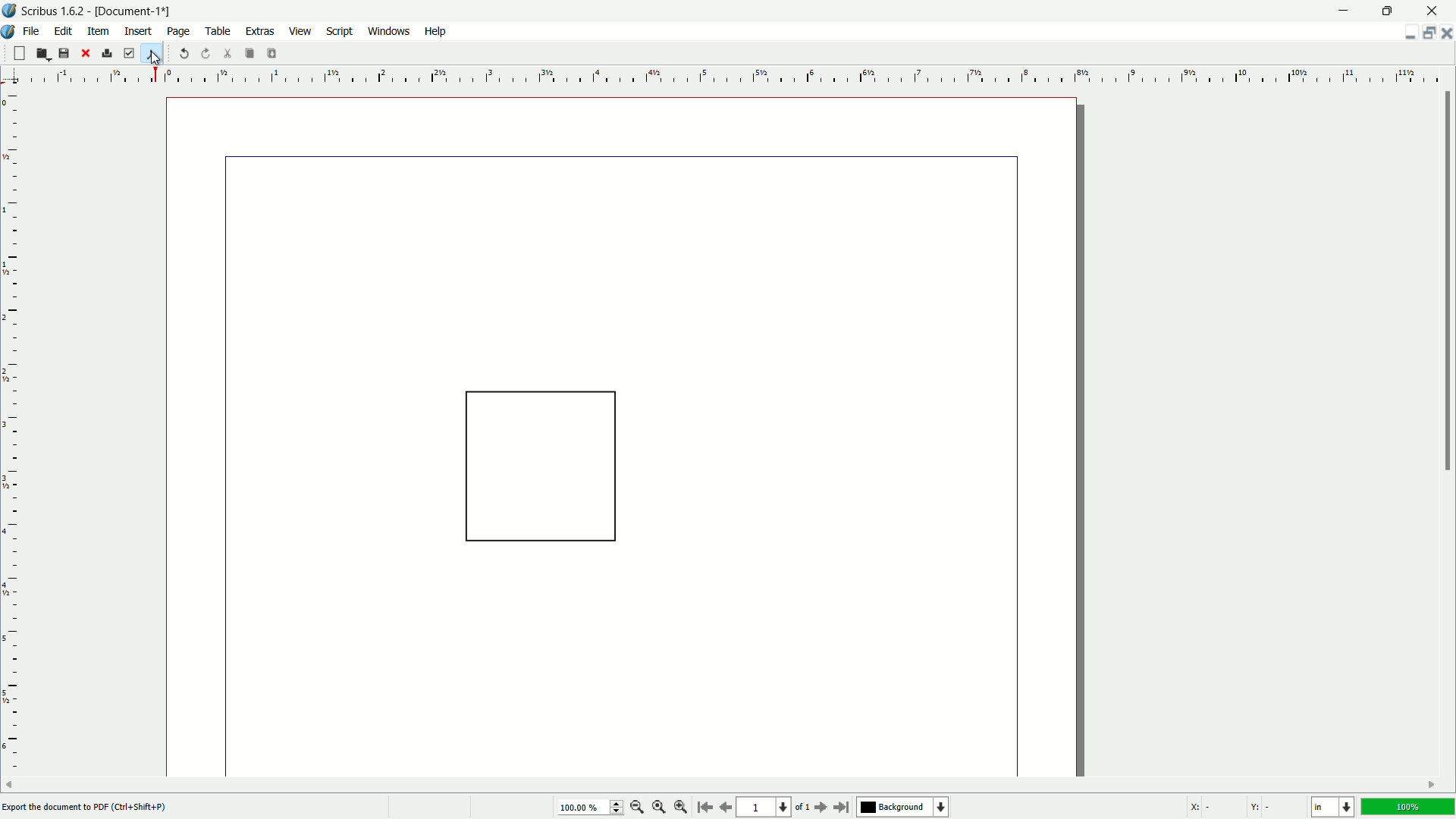  Describe the element at coordinates (151, 54) in the screenshot. I see `save as pdf` at that location.